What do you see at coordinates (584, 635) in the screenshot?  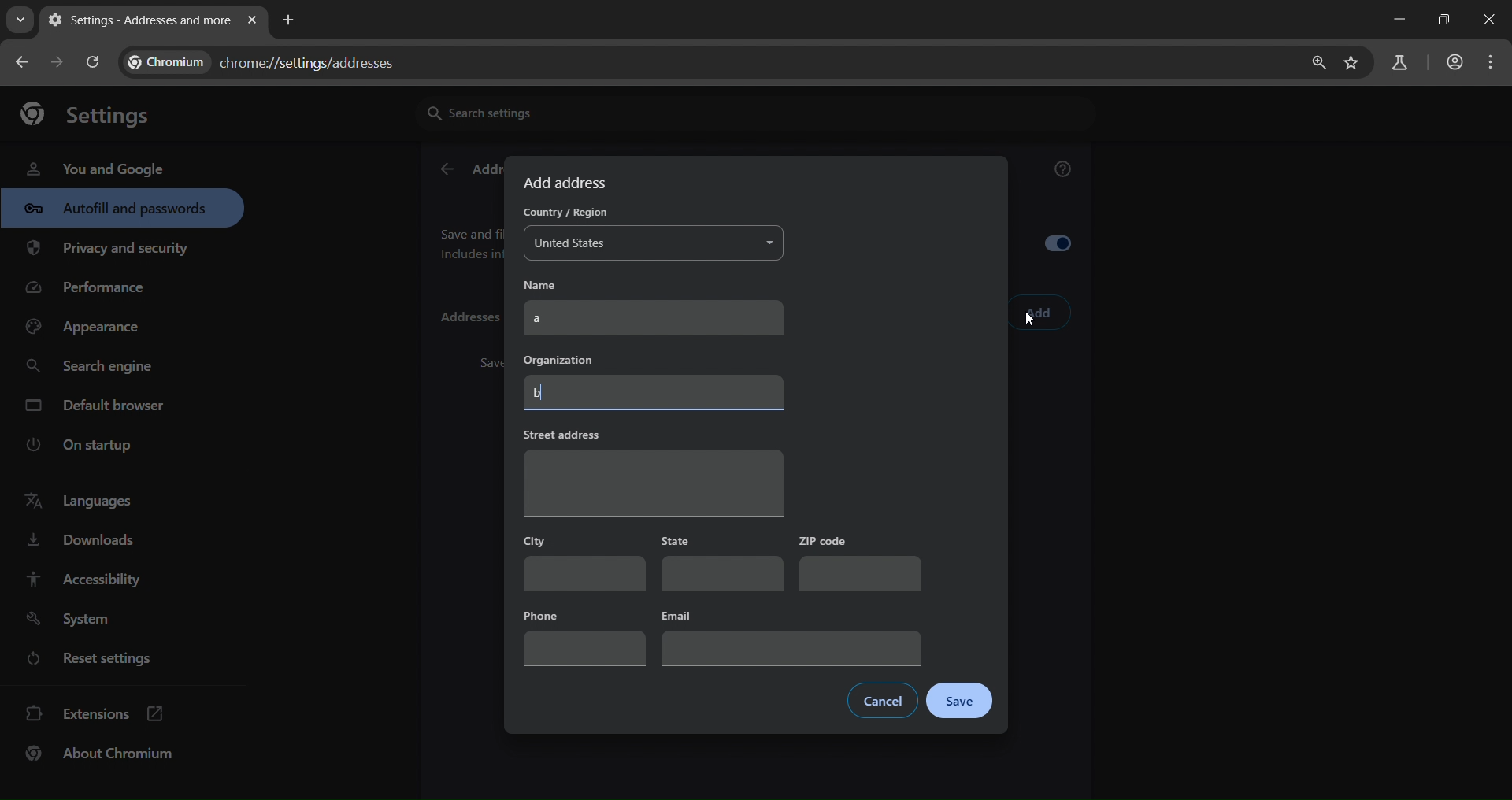 I see `phone` at bounding box center [584, 635].